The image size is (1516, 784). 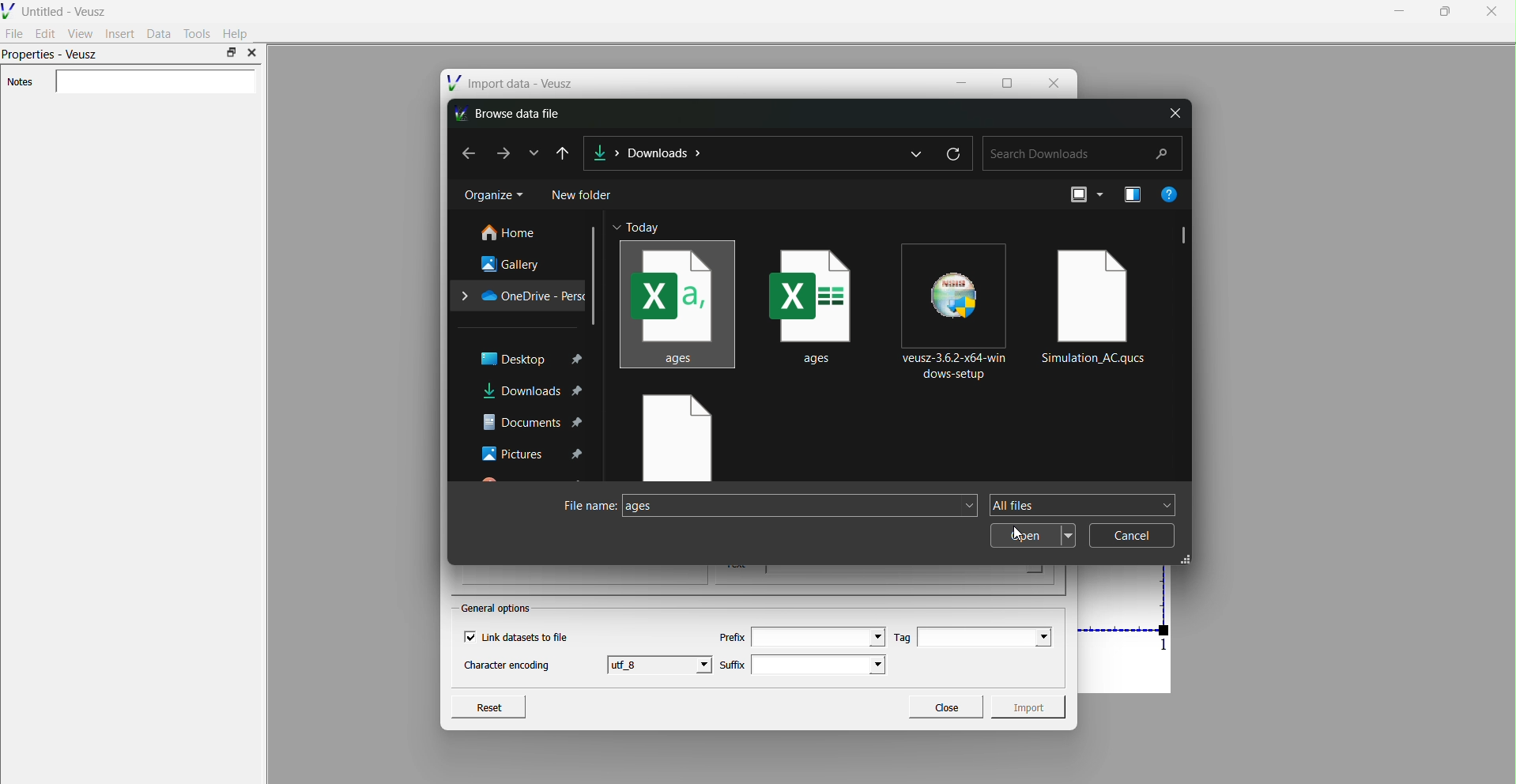 What do you see at coordinates (816, 637) in the screenshot?
I see `prefilx field` at bounding box center [816, 637].